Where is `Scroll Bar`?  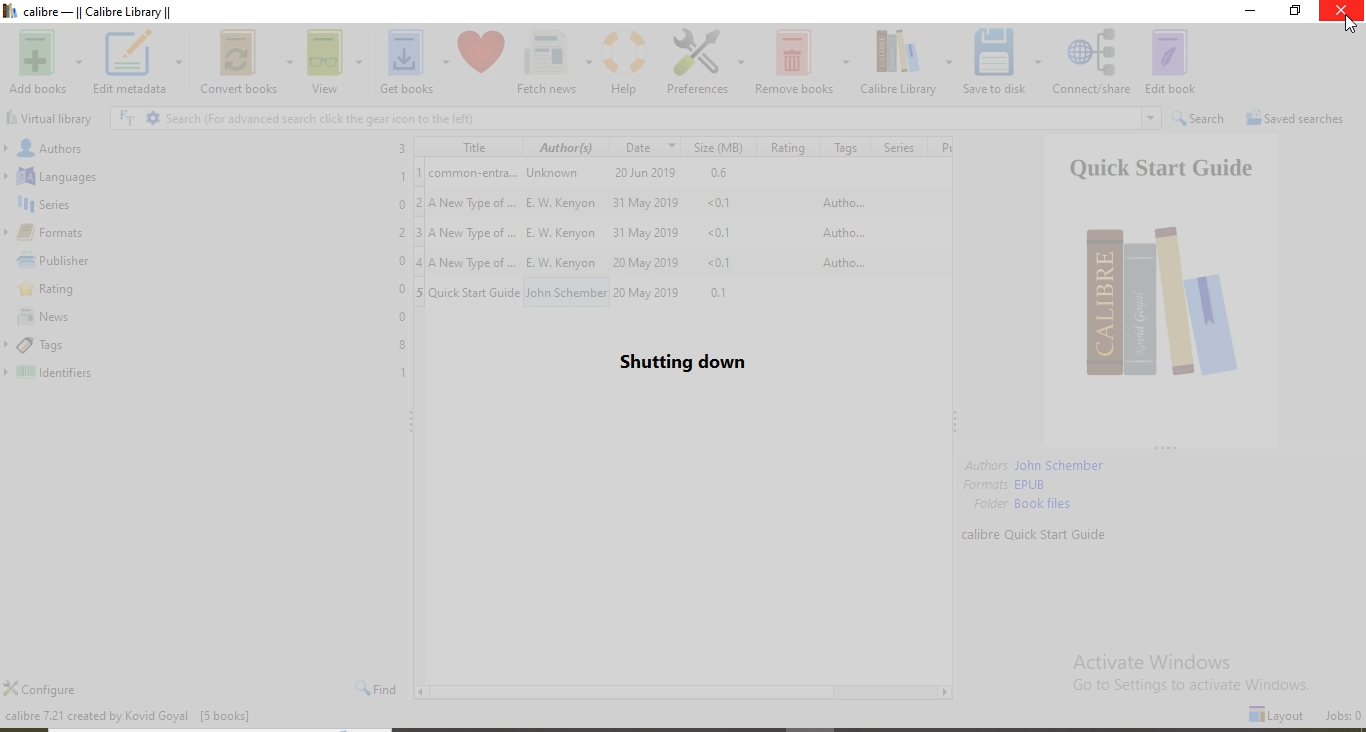 Scroll Bar is located at coordinates (684, 692).